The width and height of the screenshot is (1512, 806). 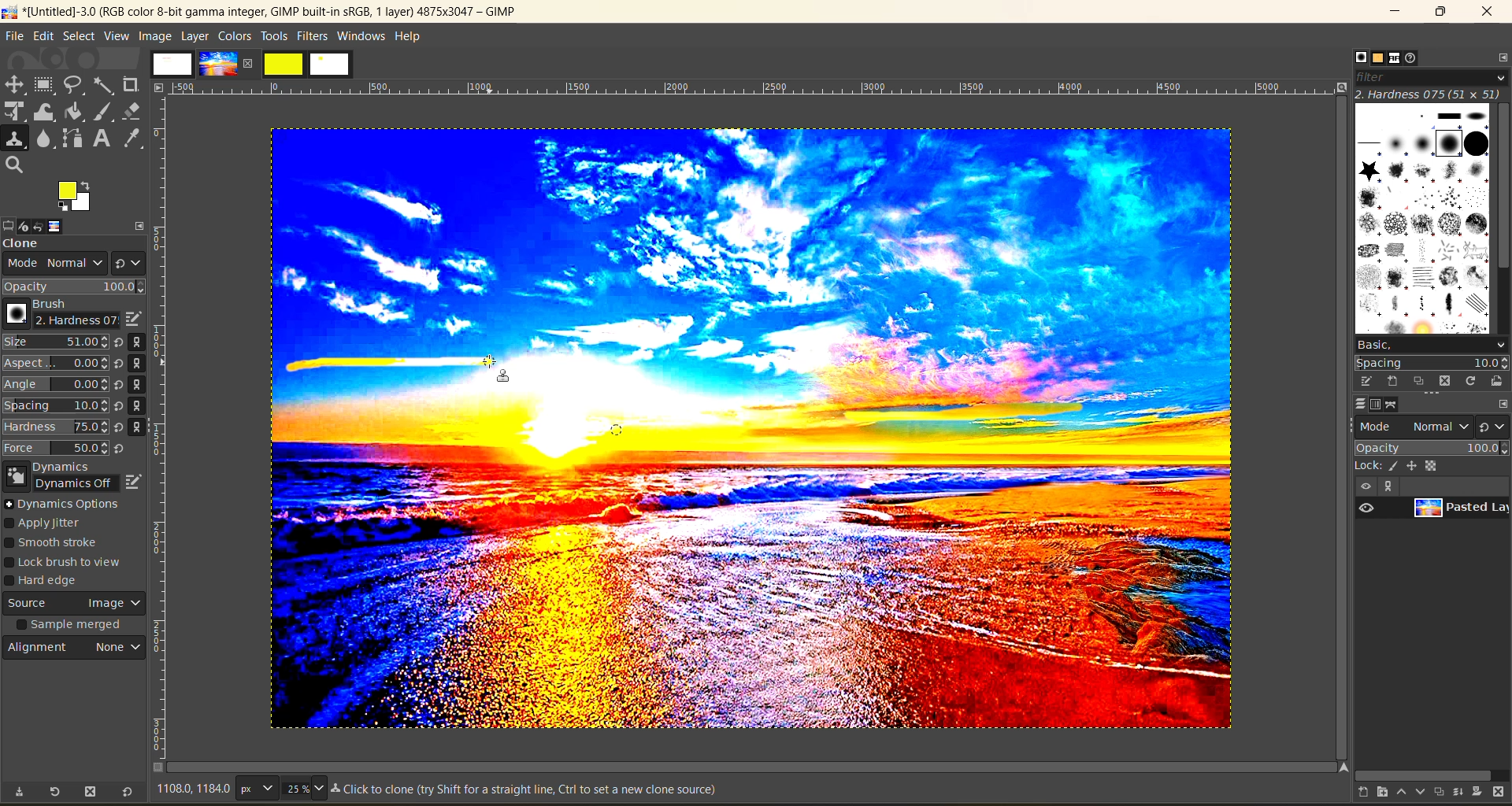 I want to click on view, so click(x=1364, y=486).